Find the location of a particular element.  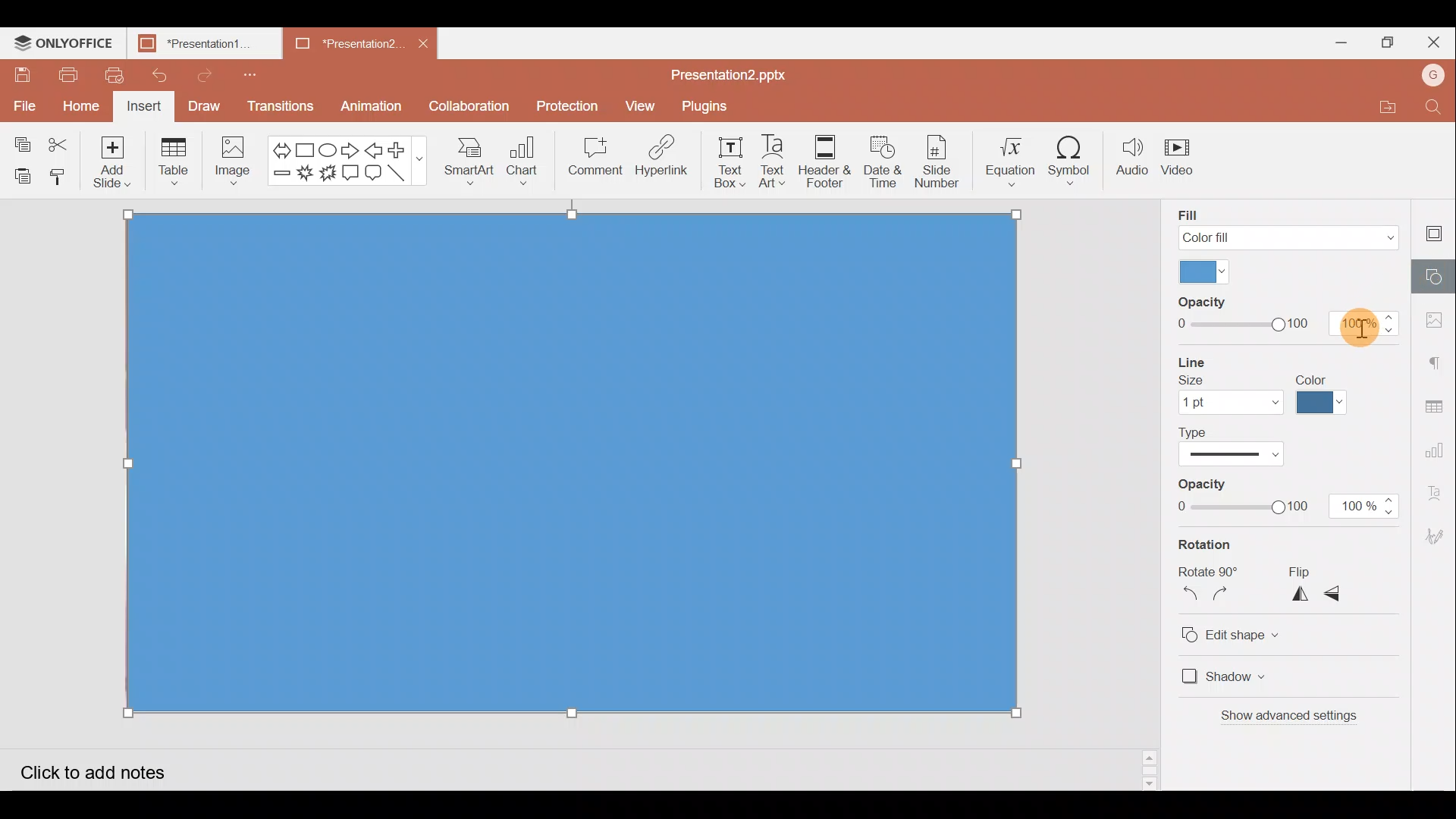

Print file is located at coordinates (62, 76).